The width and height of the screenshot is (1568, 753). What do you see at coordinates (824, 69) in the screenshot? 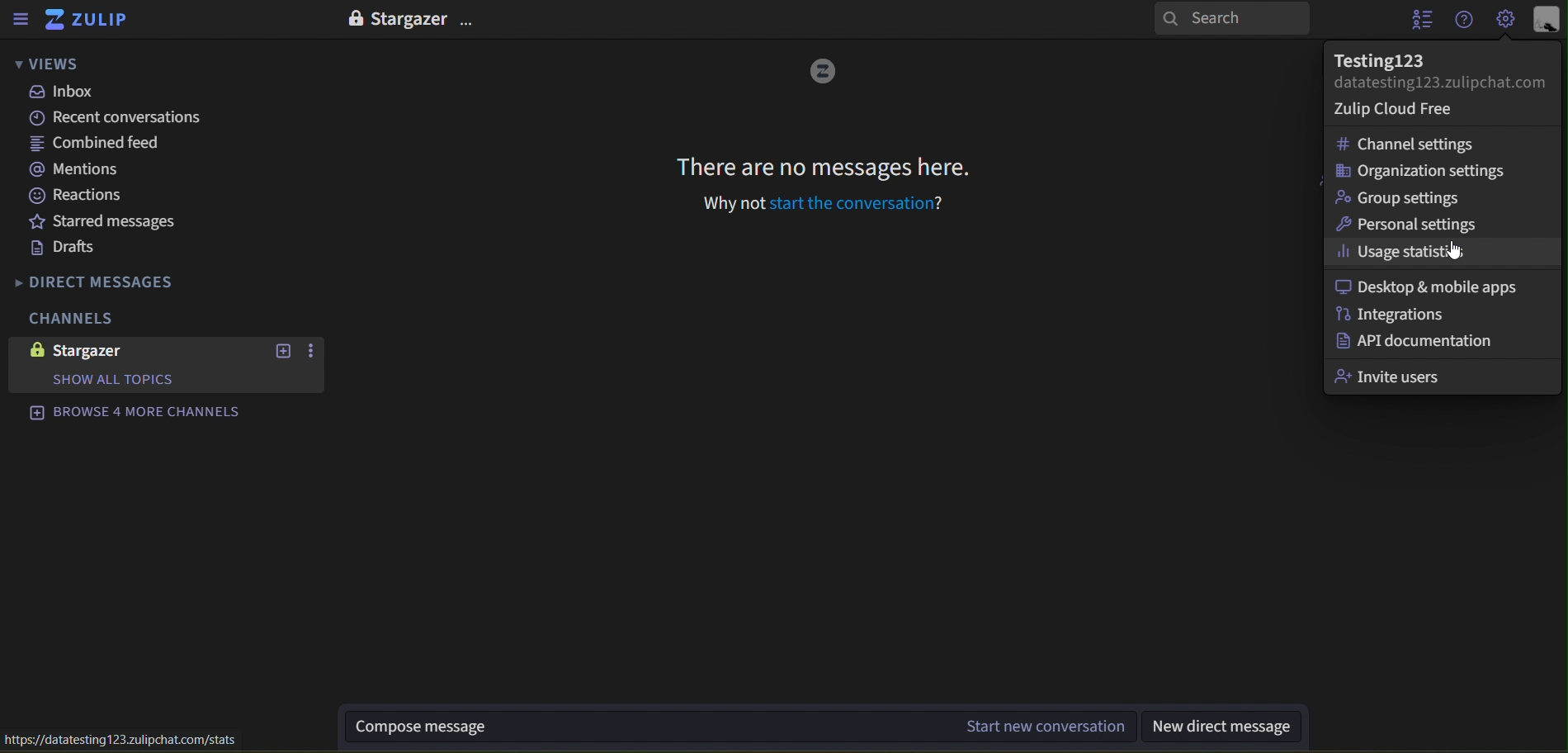
I see `Logo` at bounding box center [824, 69].